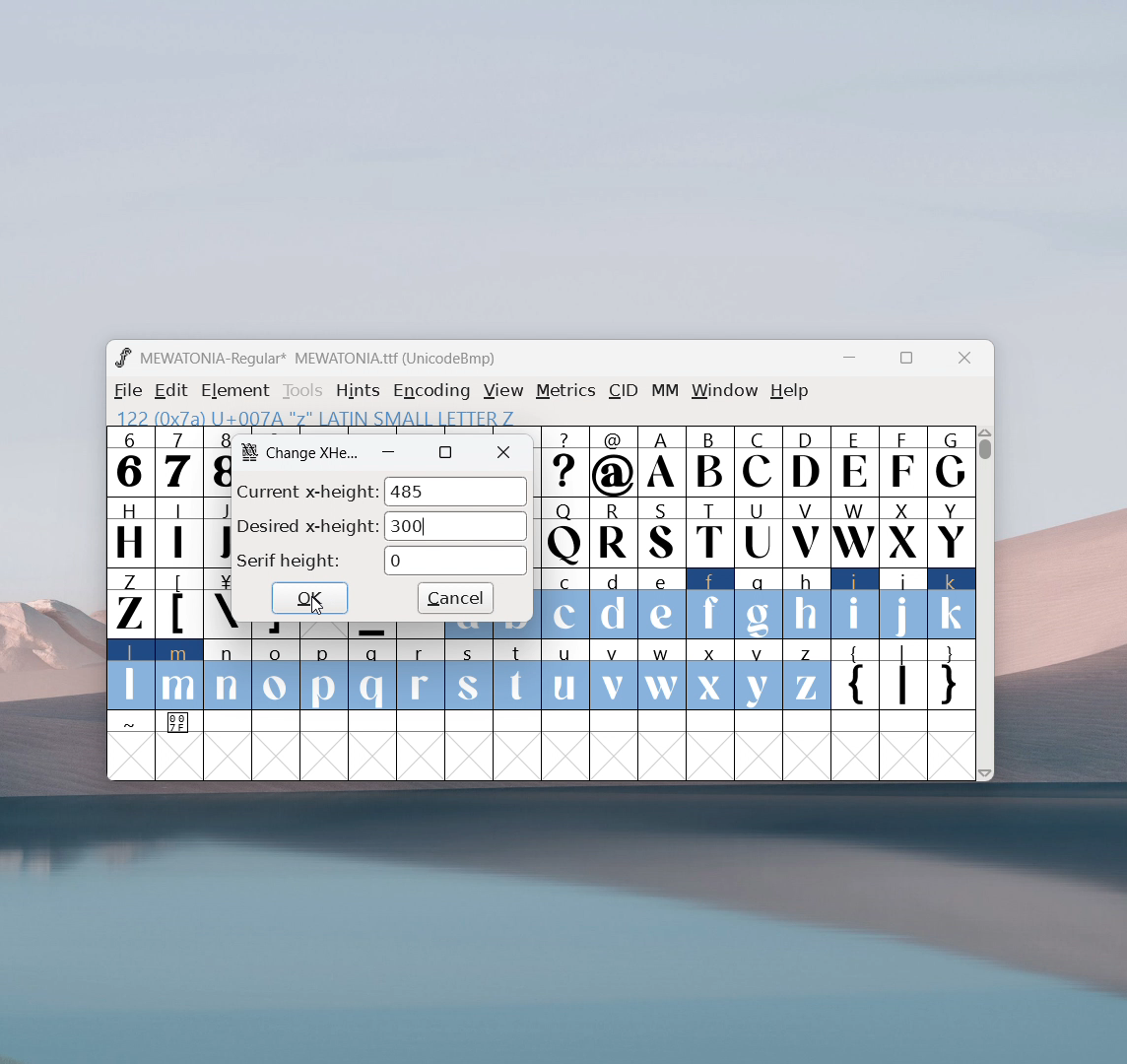  I want to click on logo, so click(122, 358).